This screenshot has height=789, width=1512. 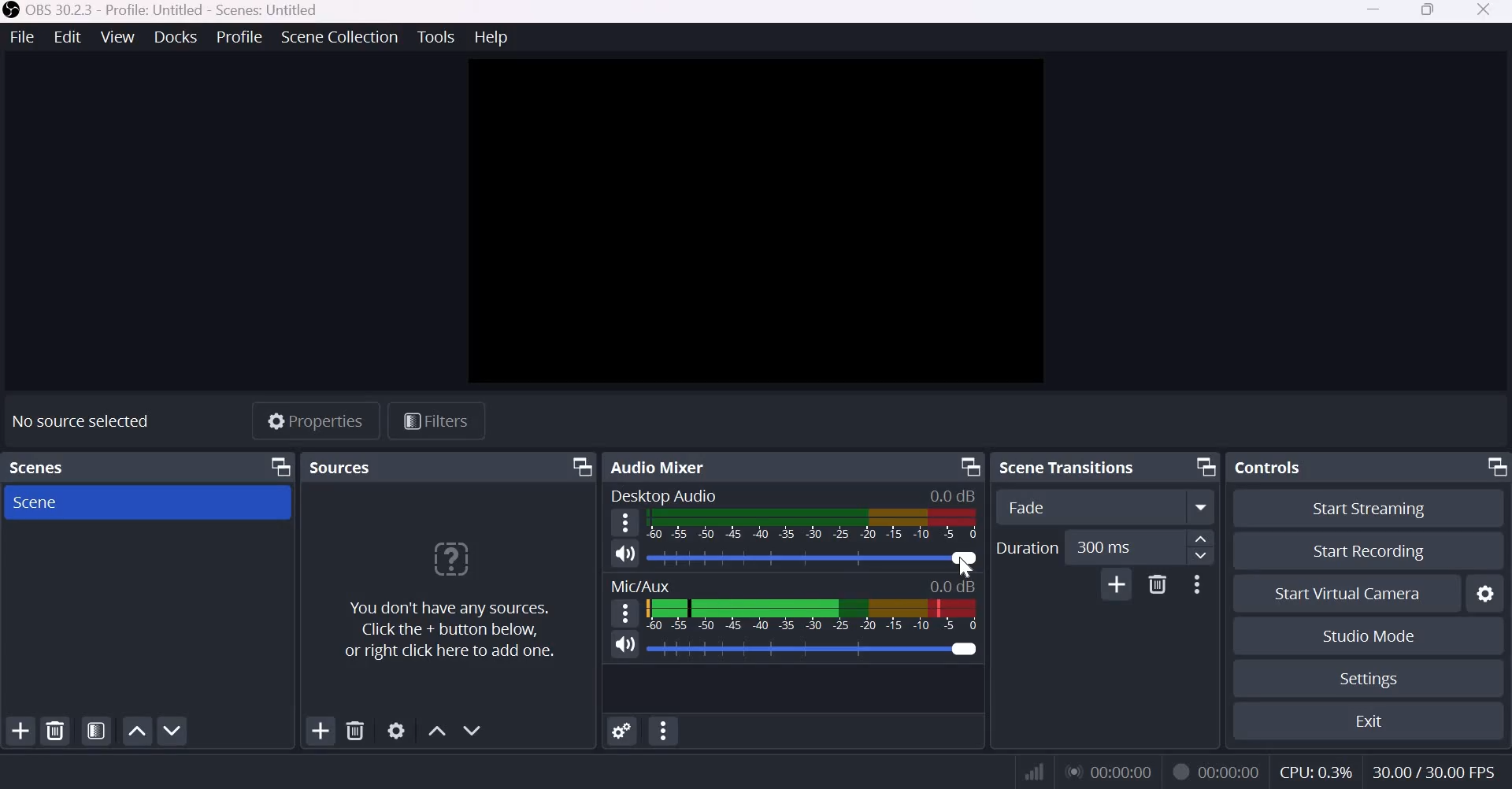 I want to click on hamburger menu, so click(x=624, y=613).